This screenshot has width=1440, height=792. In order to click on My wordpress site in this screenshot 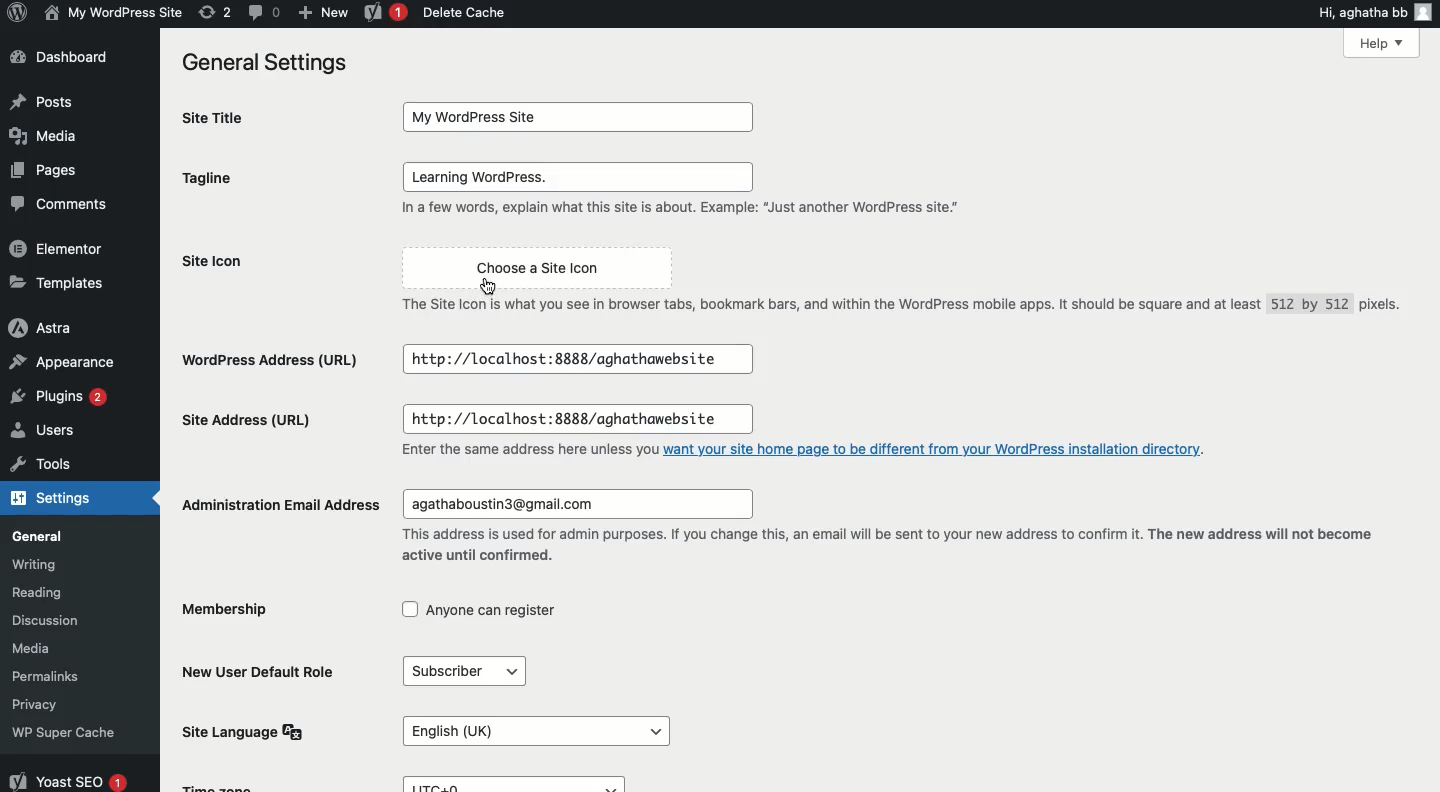, I will do `click(111, 12)`.